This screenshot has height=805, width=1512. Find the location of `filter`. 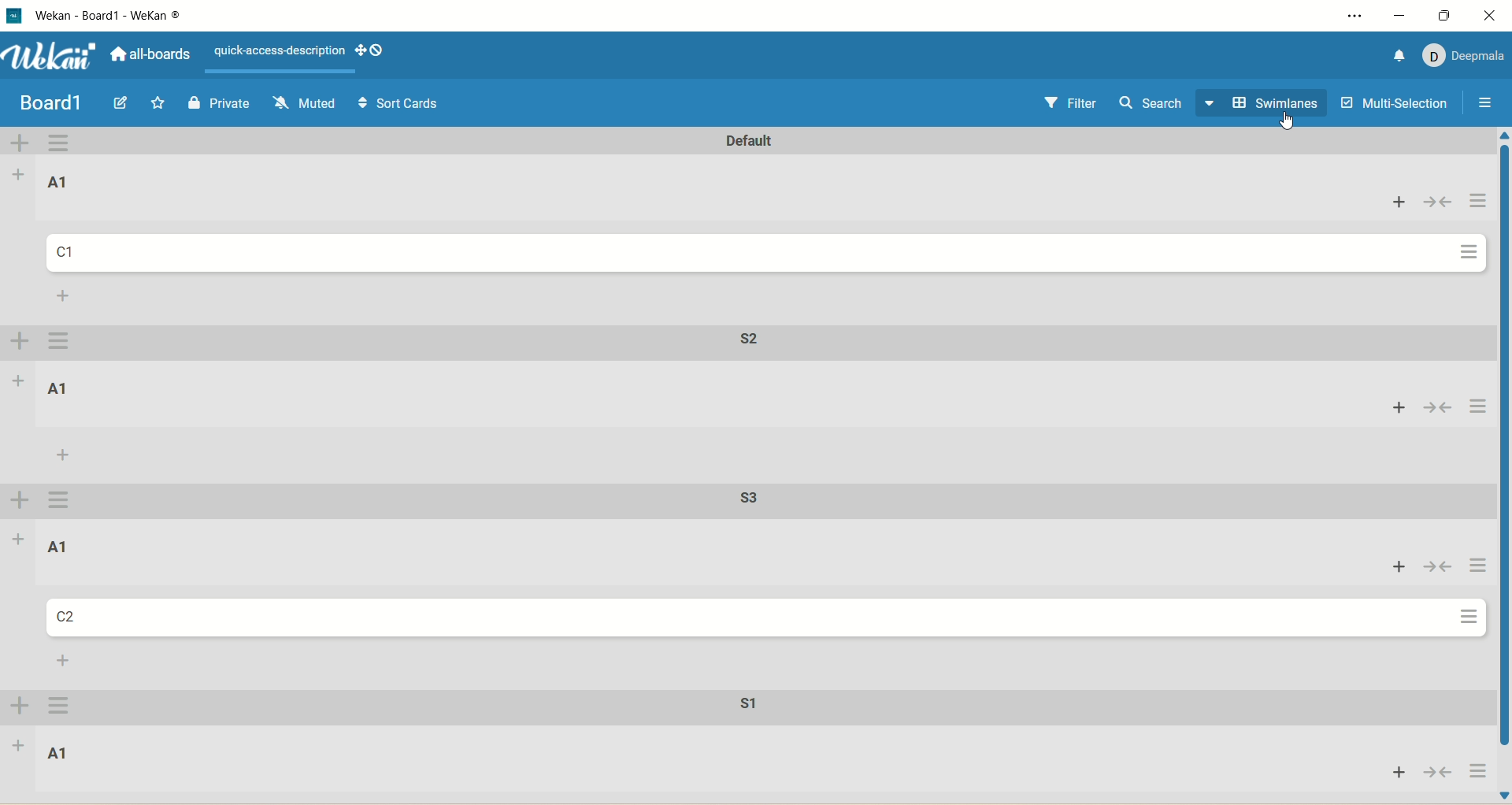

filter is located at coordinates (1075, 107).